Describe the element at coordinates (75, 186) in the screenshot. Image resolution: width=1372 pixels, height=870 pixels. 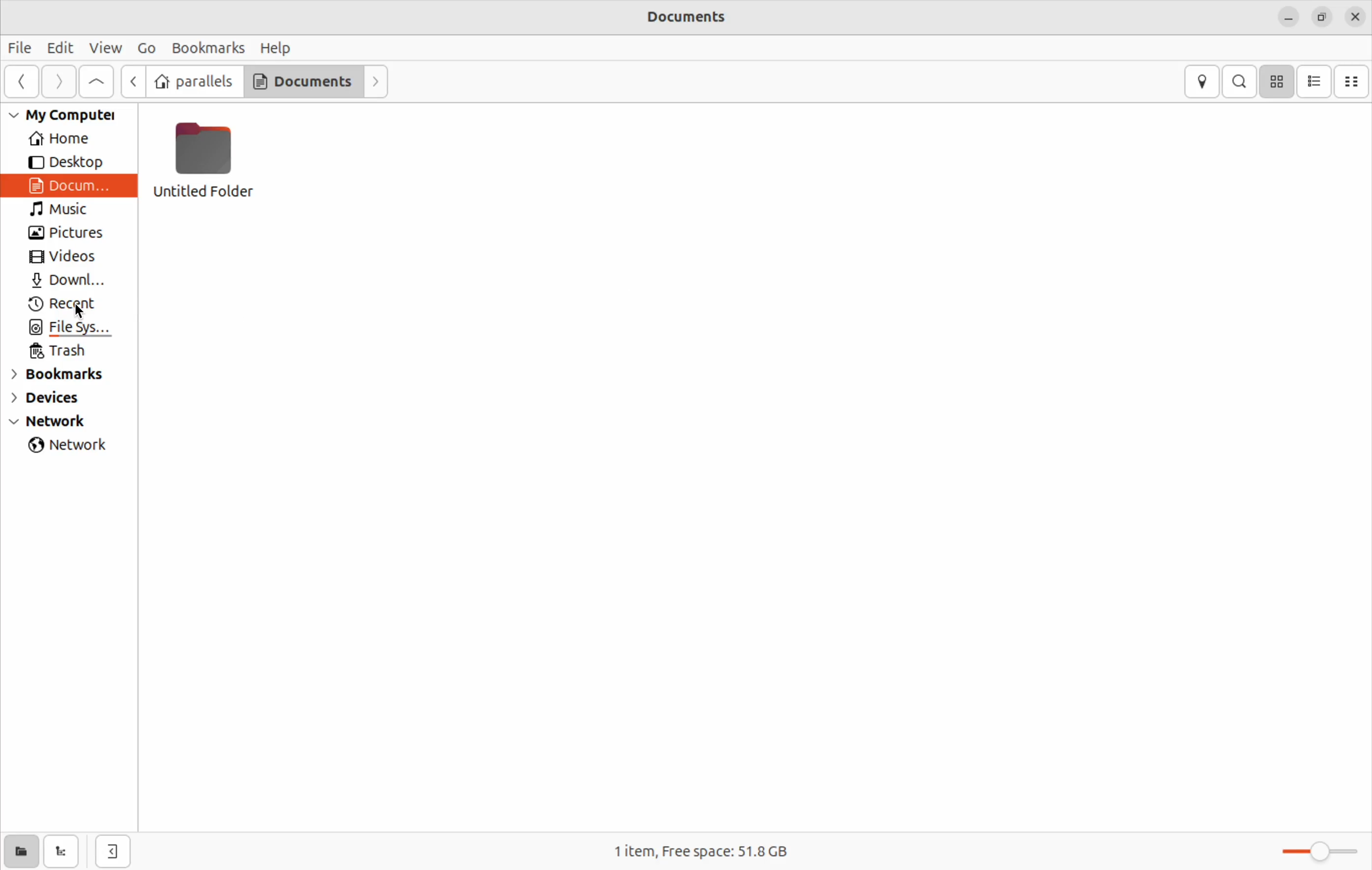
I see `documents` at that location.